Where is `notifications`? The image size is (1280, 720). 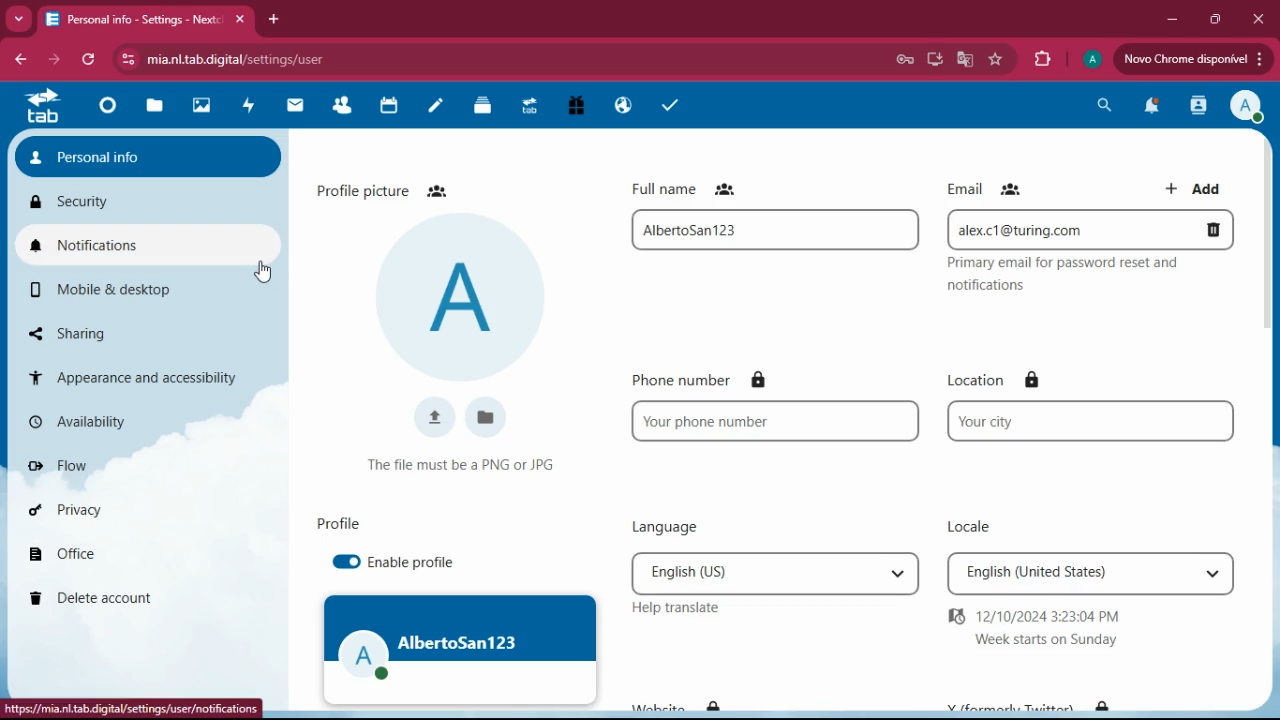
notifications is located at coordinates (1149, 109).